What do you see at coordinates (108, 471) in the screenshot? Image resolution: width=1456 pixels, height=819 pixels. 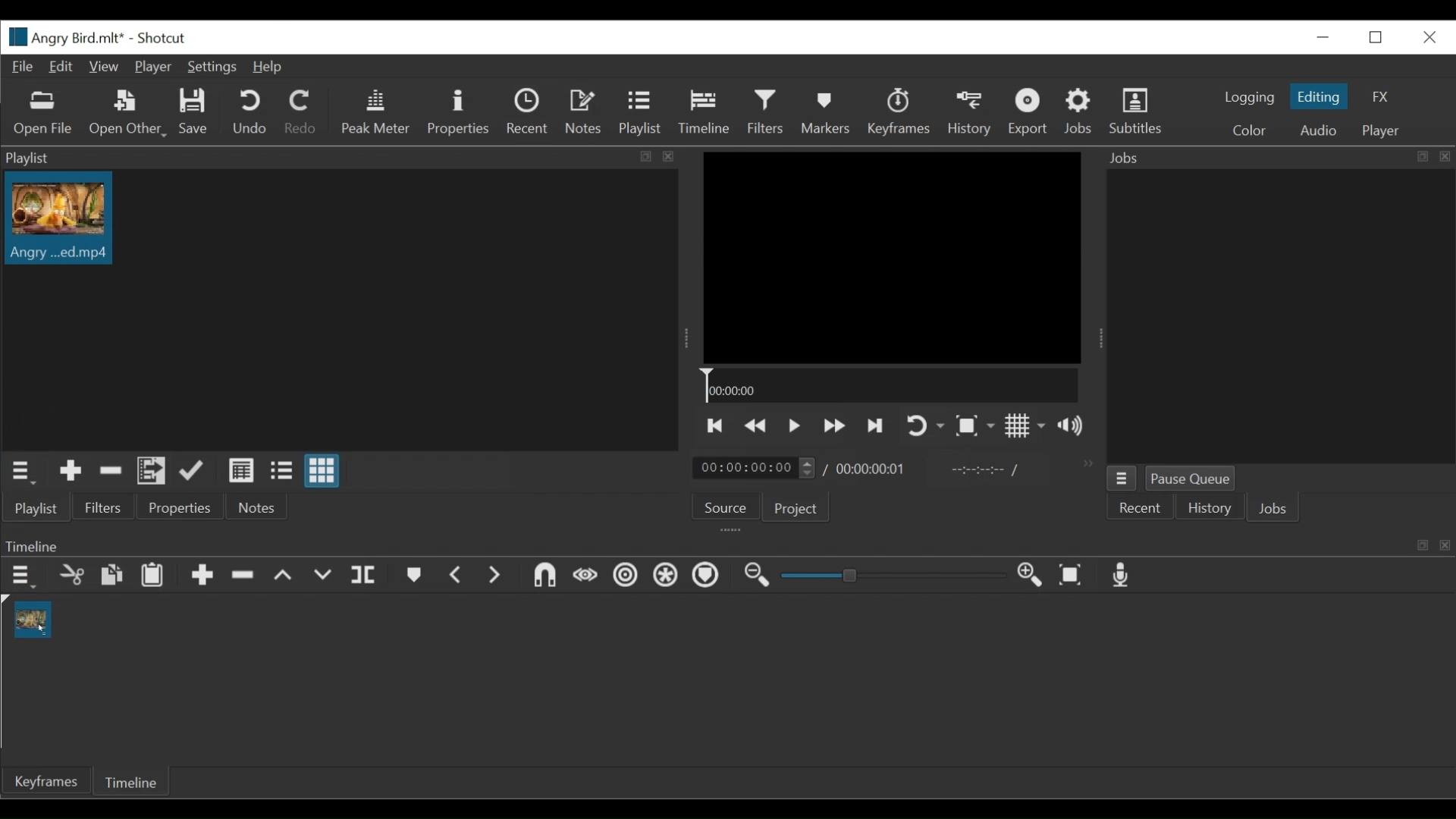 I see `Remove cut` at bounding box center [108, 471].